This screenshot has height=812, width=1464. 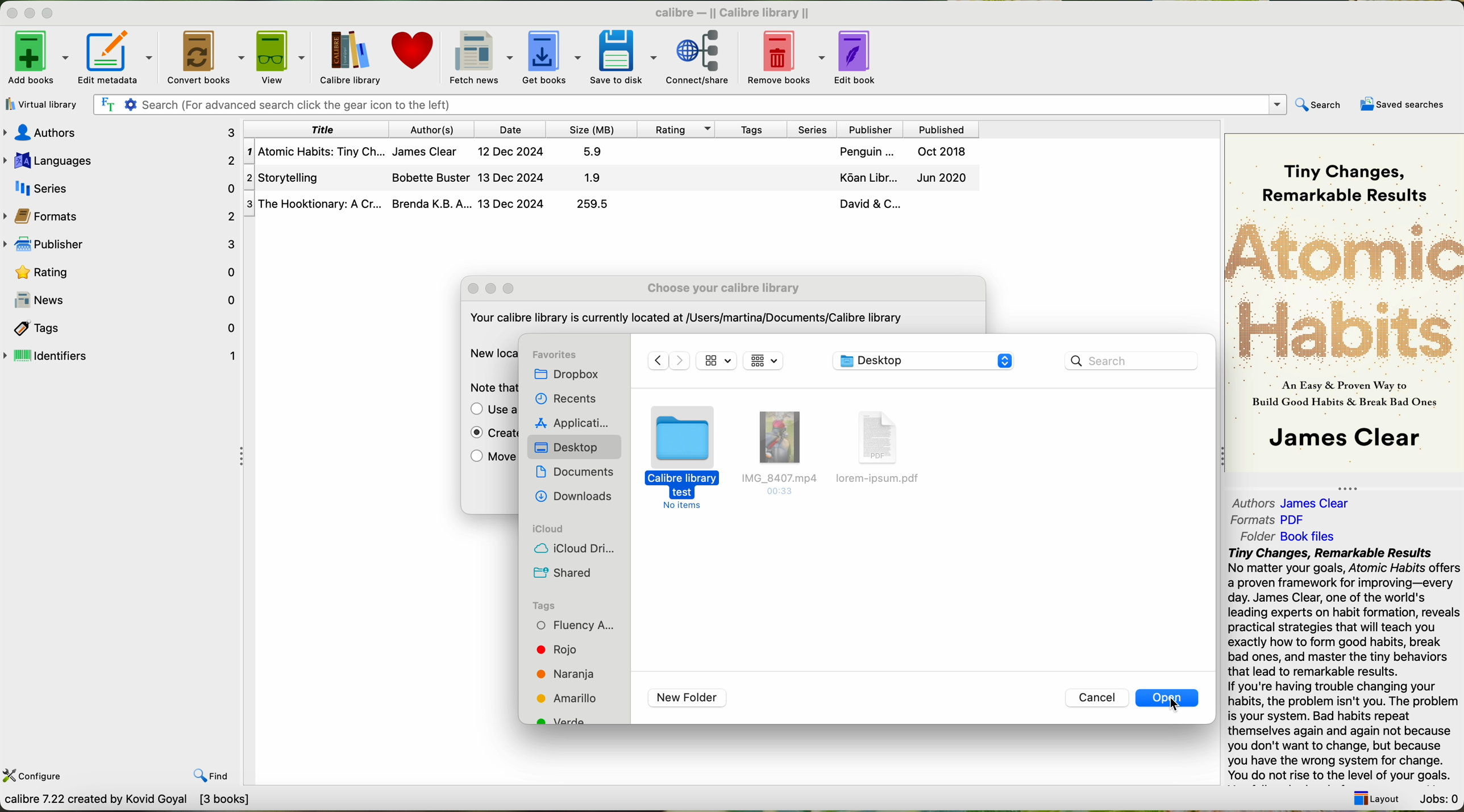 I want to click on add books, so click(x=36, y=60).